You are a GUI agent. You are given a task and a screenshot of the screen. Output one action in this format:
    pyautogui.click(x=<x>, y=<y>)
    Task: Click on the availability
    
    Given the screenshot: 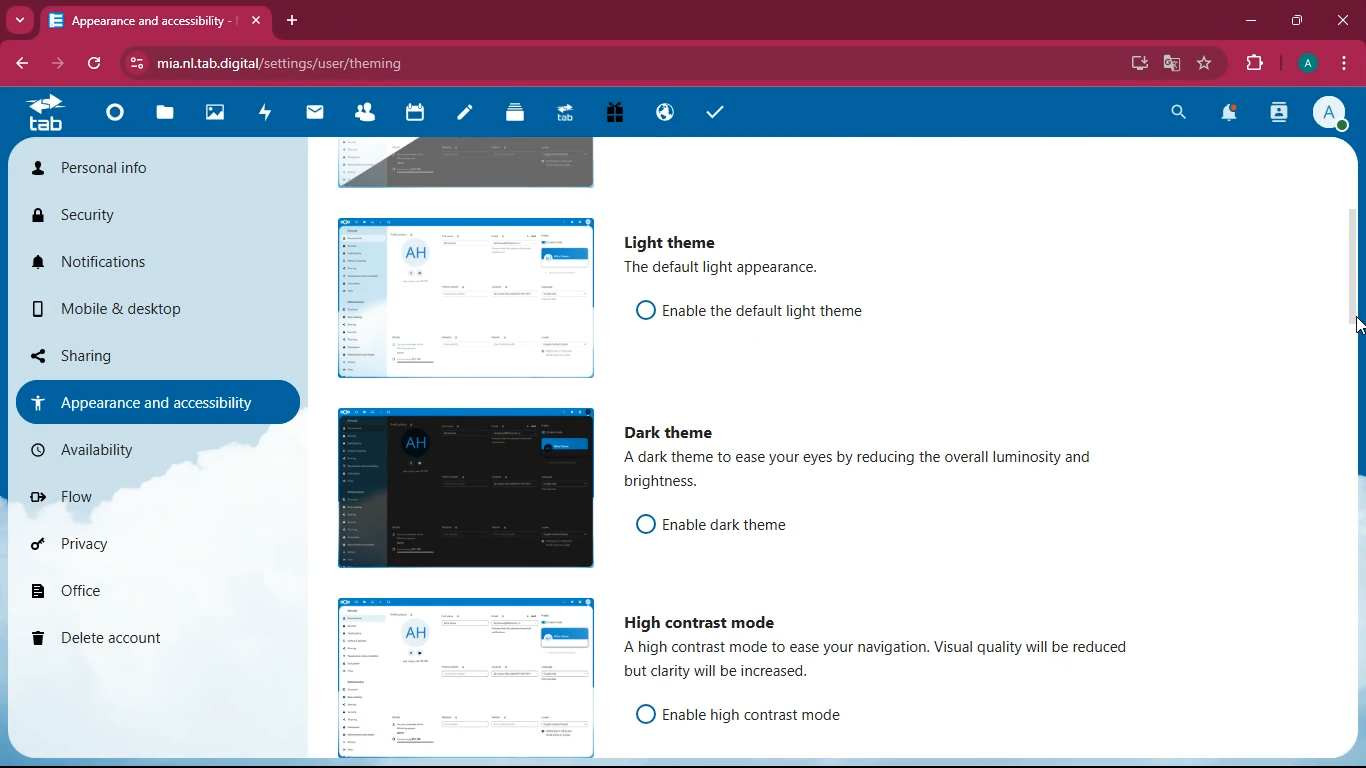 What is the action you would take?
    pyautogui.click(x=135, y=448)
    